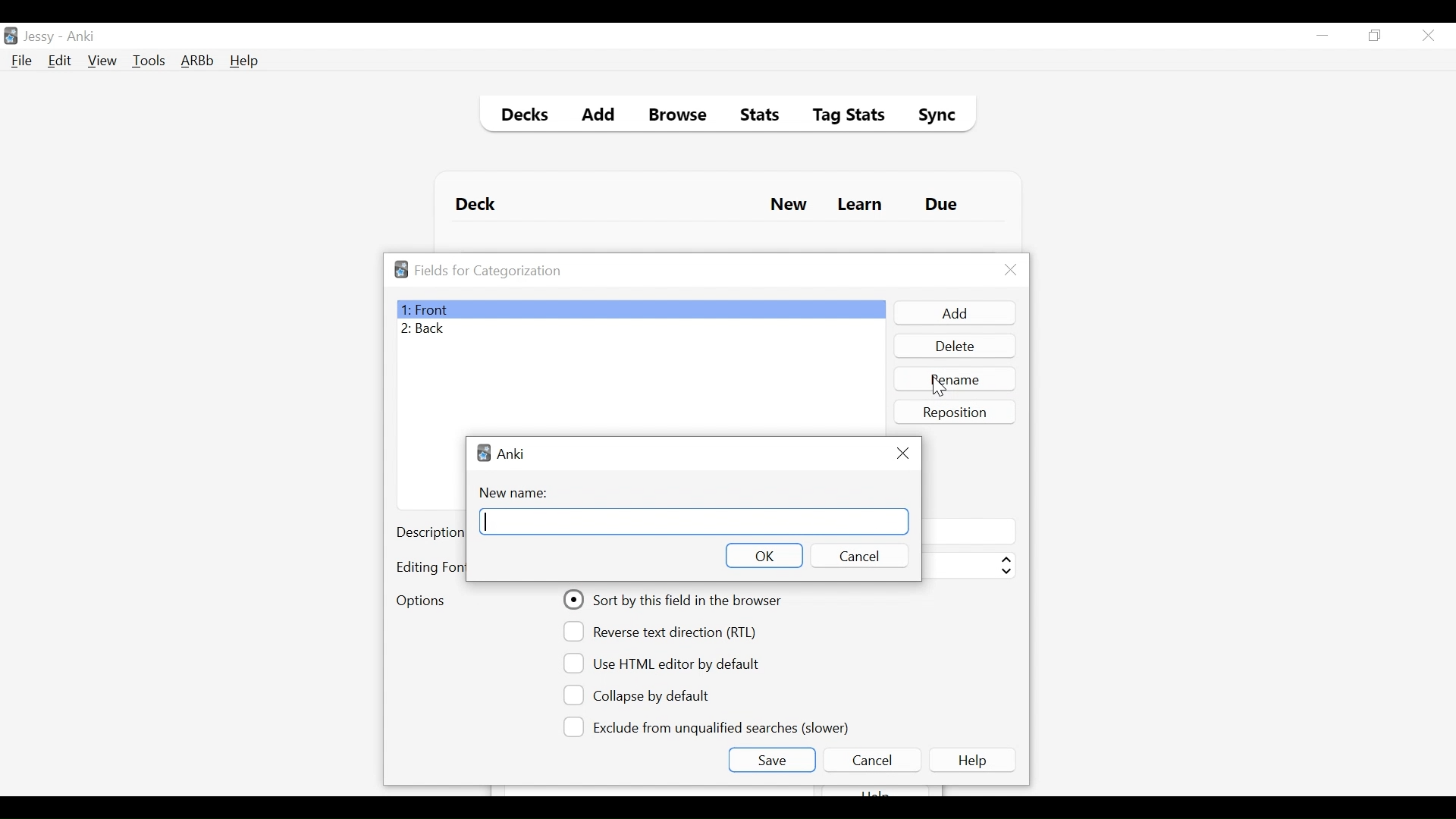 This screenshot has height=819, width=1456. I want to click on Learn, so click(859, 206).